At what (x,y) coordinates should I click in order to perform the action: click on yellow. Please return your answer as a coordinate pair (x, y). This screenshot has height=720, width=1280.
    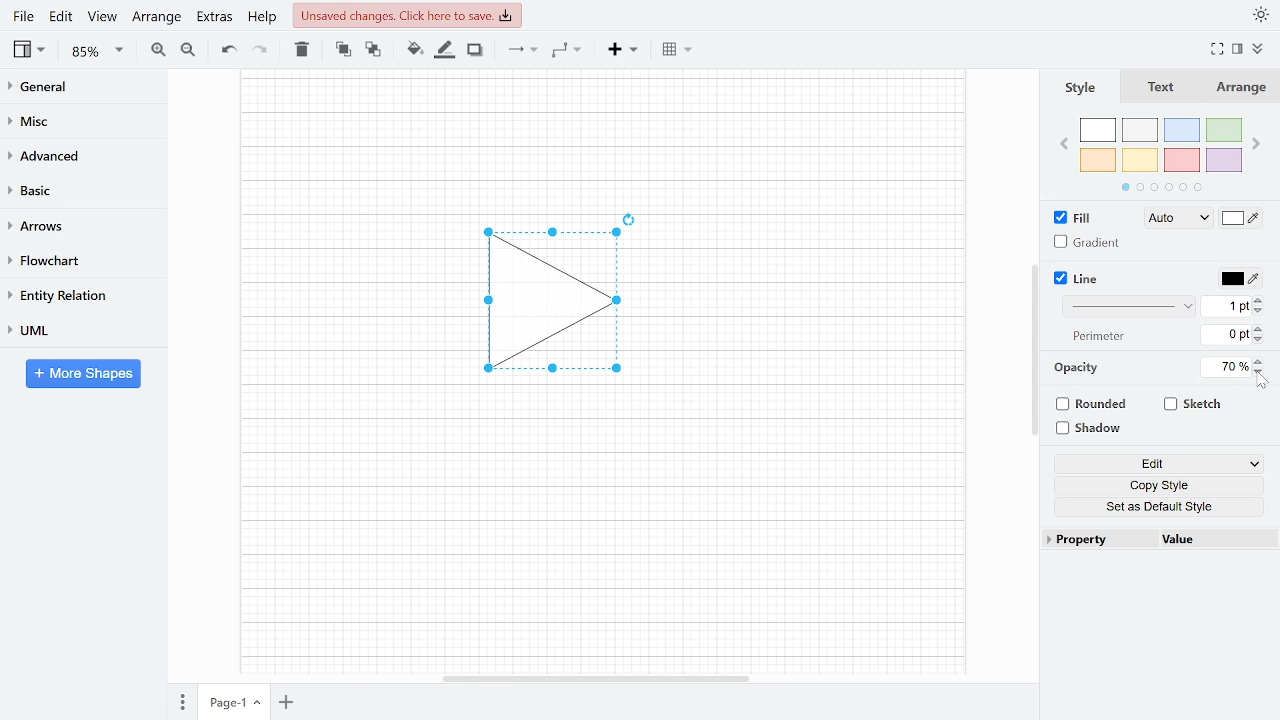
    Looking at the image, I should click on (1141, 159).